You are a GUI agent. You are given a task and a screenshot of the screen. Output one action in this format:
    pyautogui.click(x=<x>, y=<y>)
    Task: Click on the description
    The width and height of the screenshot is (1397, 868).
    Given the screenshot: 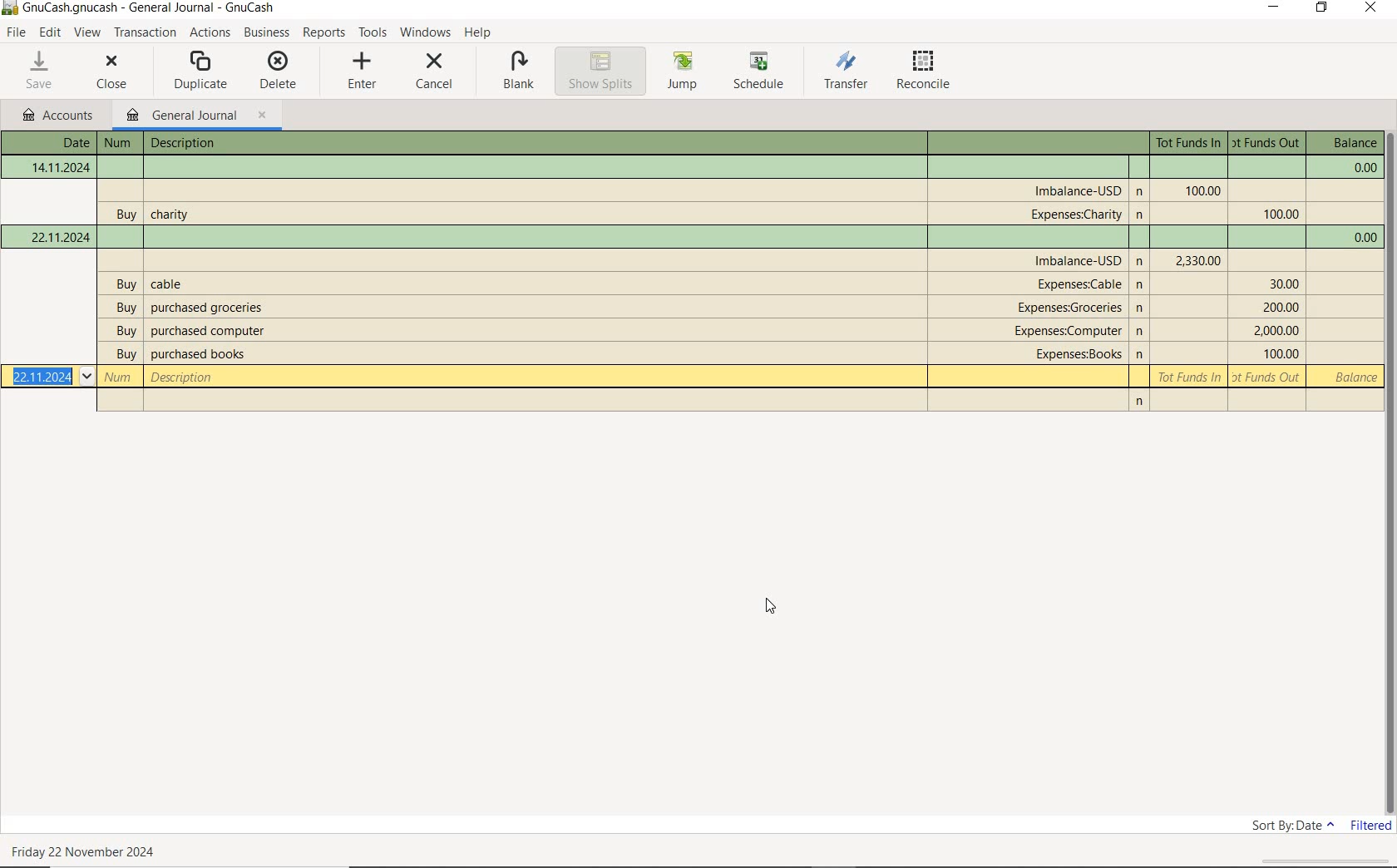 What is the action you would take?
    pyautogui.click(x=168, y=284)
    